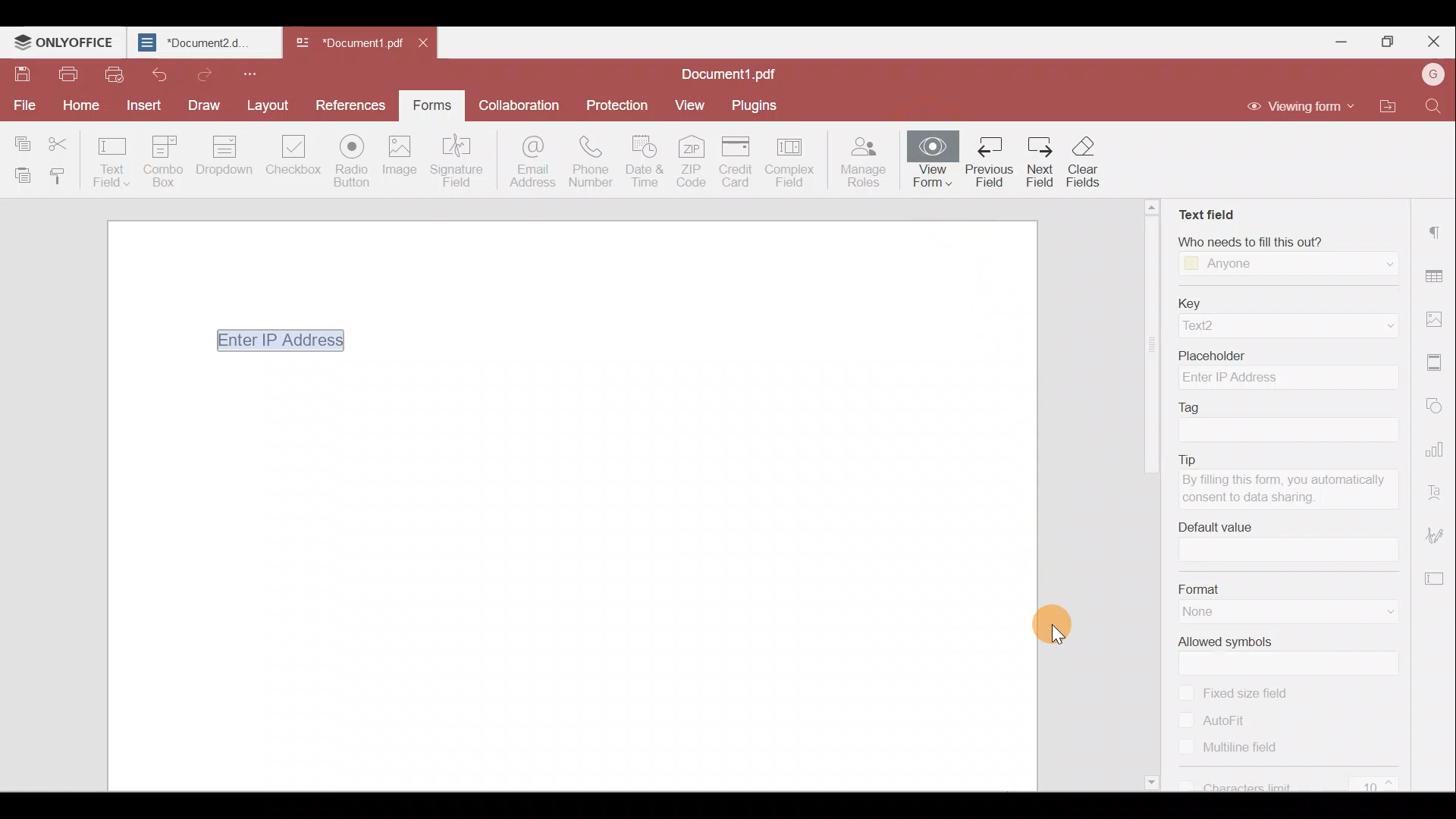  What do you see at coordinates (691, 105) in the screenshot?
I see `View` at bounding box center [691, 105].